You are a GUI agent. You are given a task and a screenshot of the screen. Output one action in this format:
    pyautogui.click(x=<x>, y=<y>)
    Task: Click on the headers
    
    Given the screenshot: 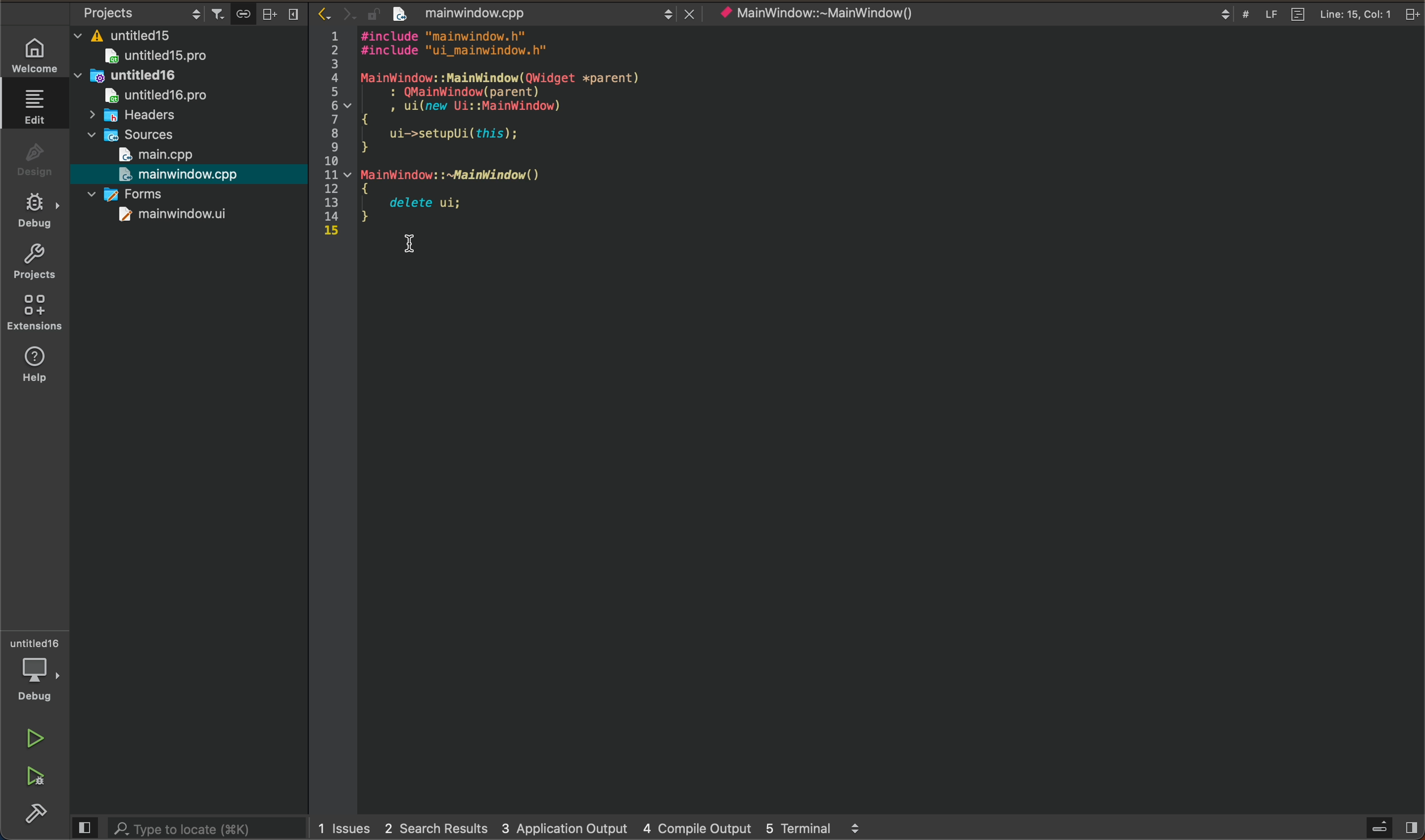 What is the action you would take?
    pyautogui.click(x=131, y=118)
    